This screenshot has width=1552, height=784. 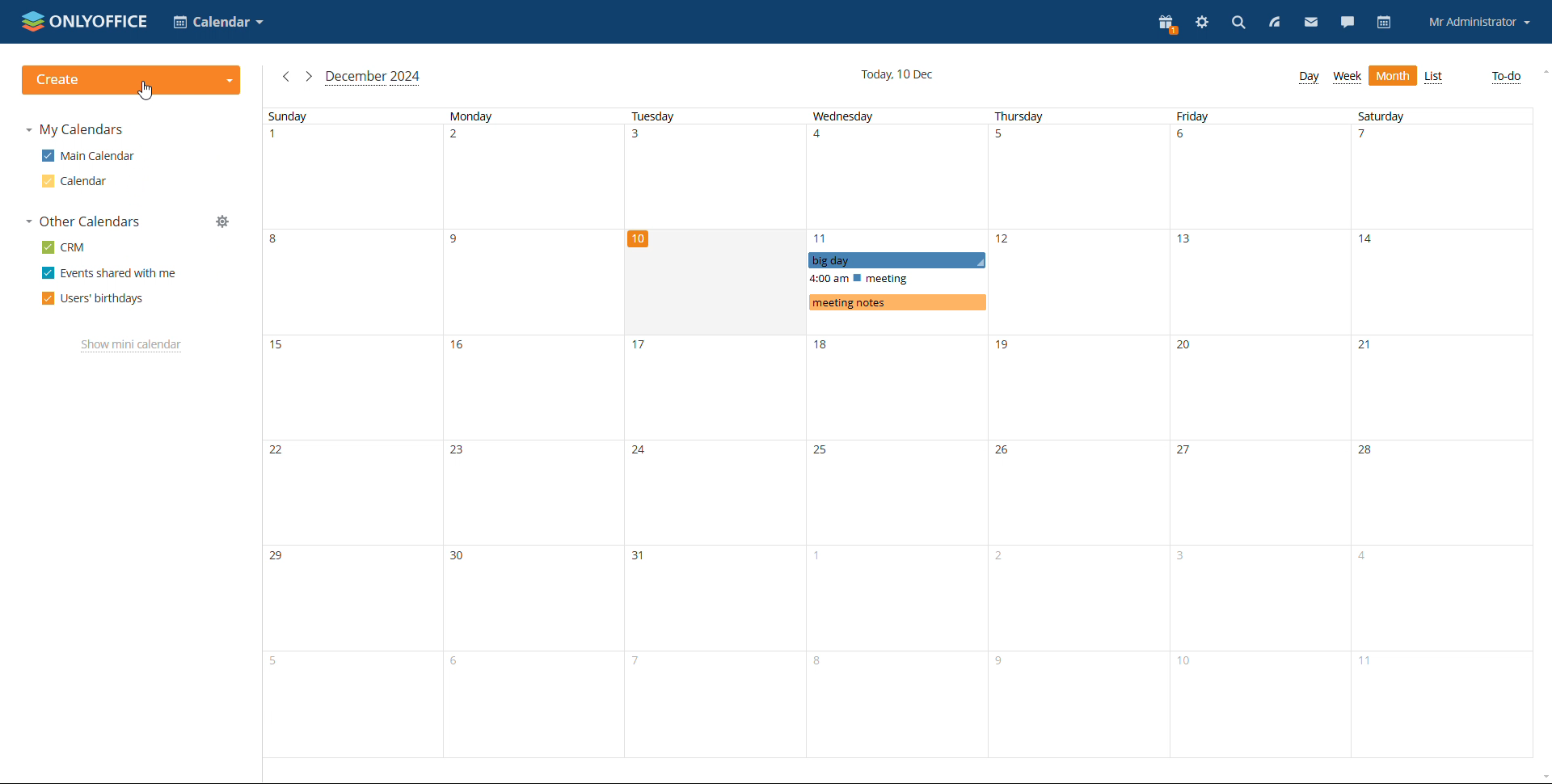 I want to click on crm, so click(x=64, y=247).